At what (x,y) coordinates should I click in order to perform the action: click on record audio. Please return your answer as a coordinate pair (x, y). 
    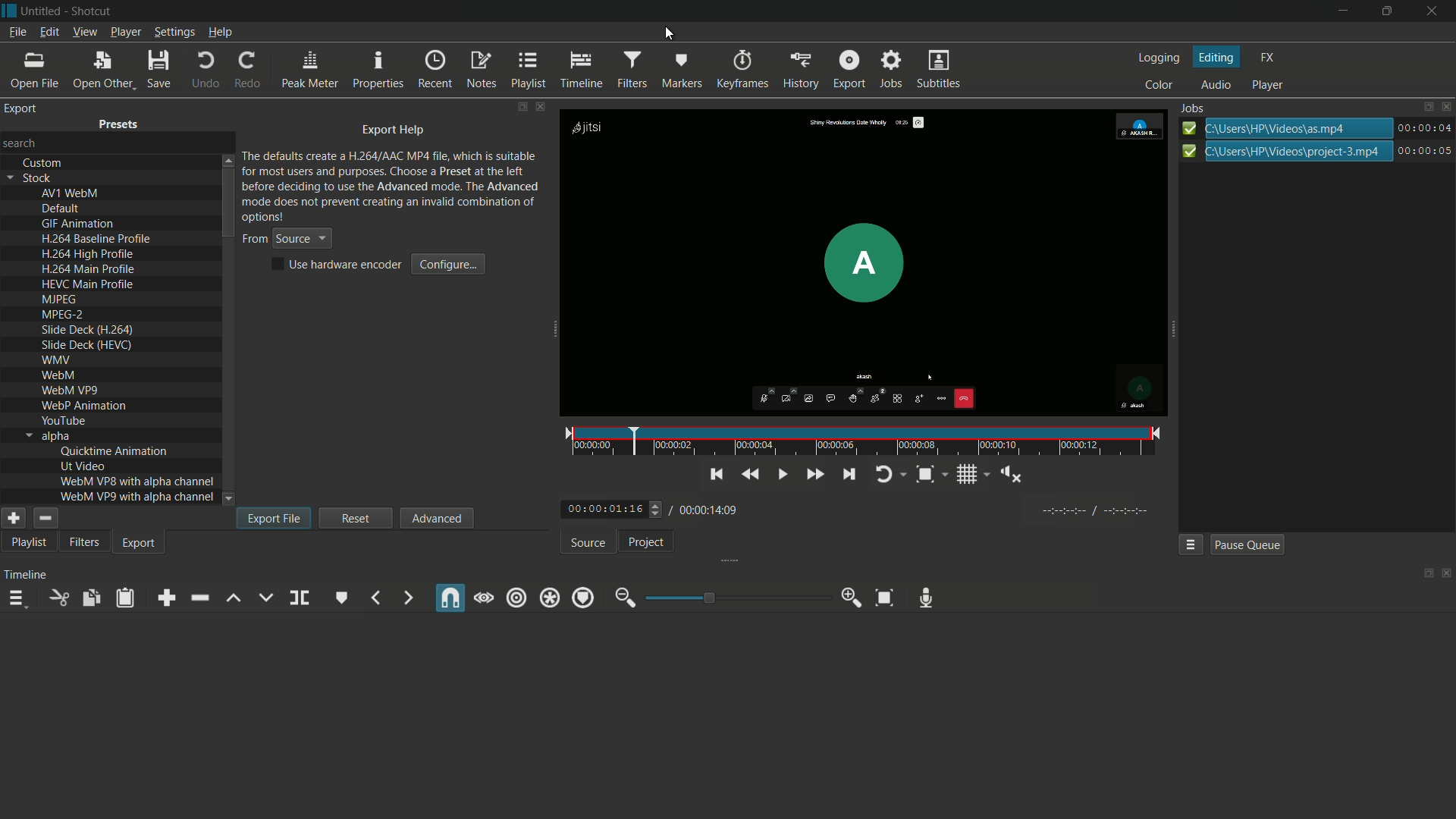
    Looking at the image, I should click on (925, 599).